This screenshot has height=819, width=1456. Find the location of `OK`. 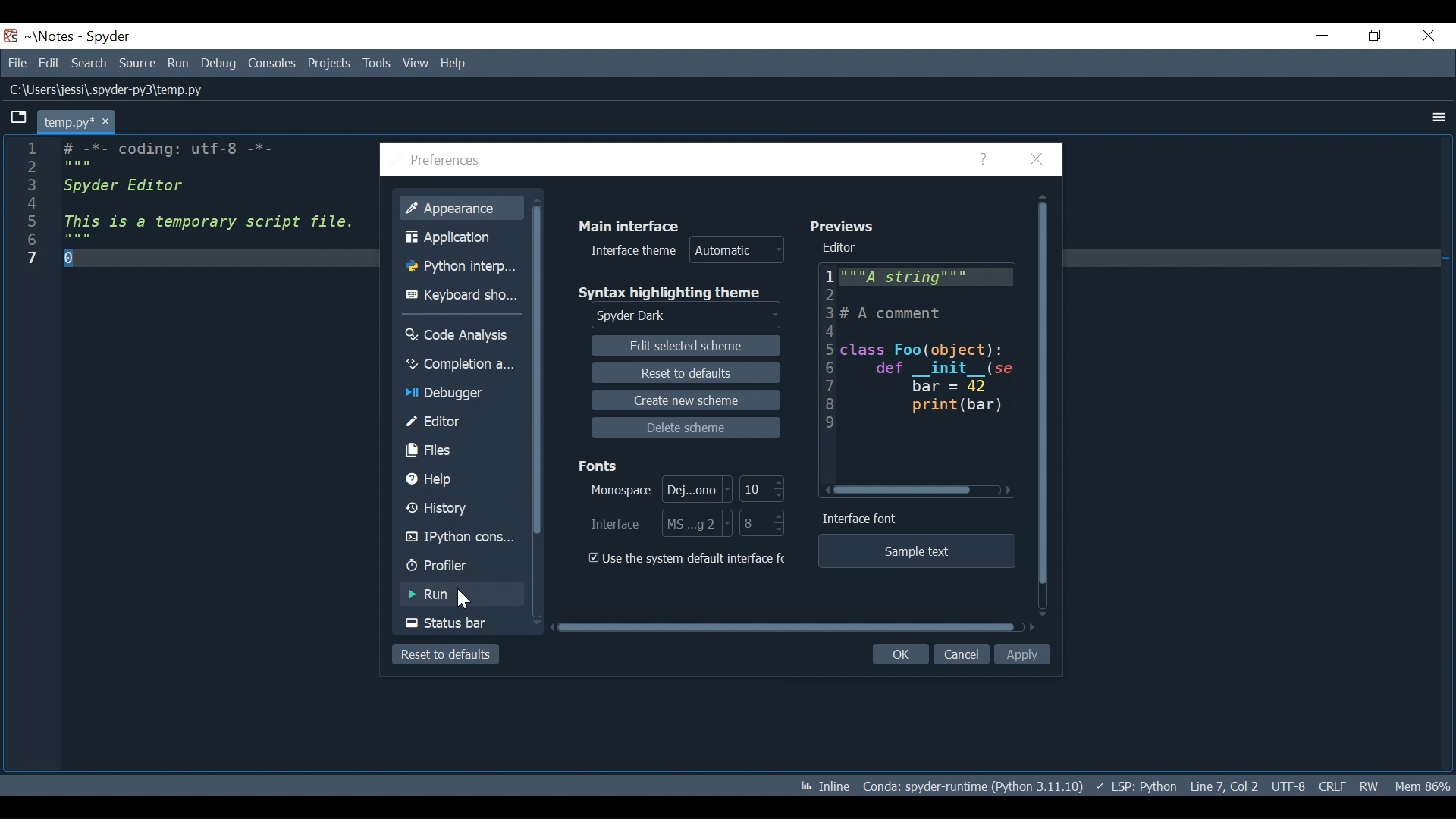

OK is located at coordinates (902, 654).